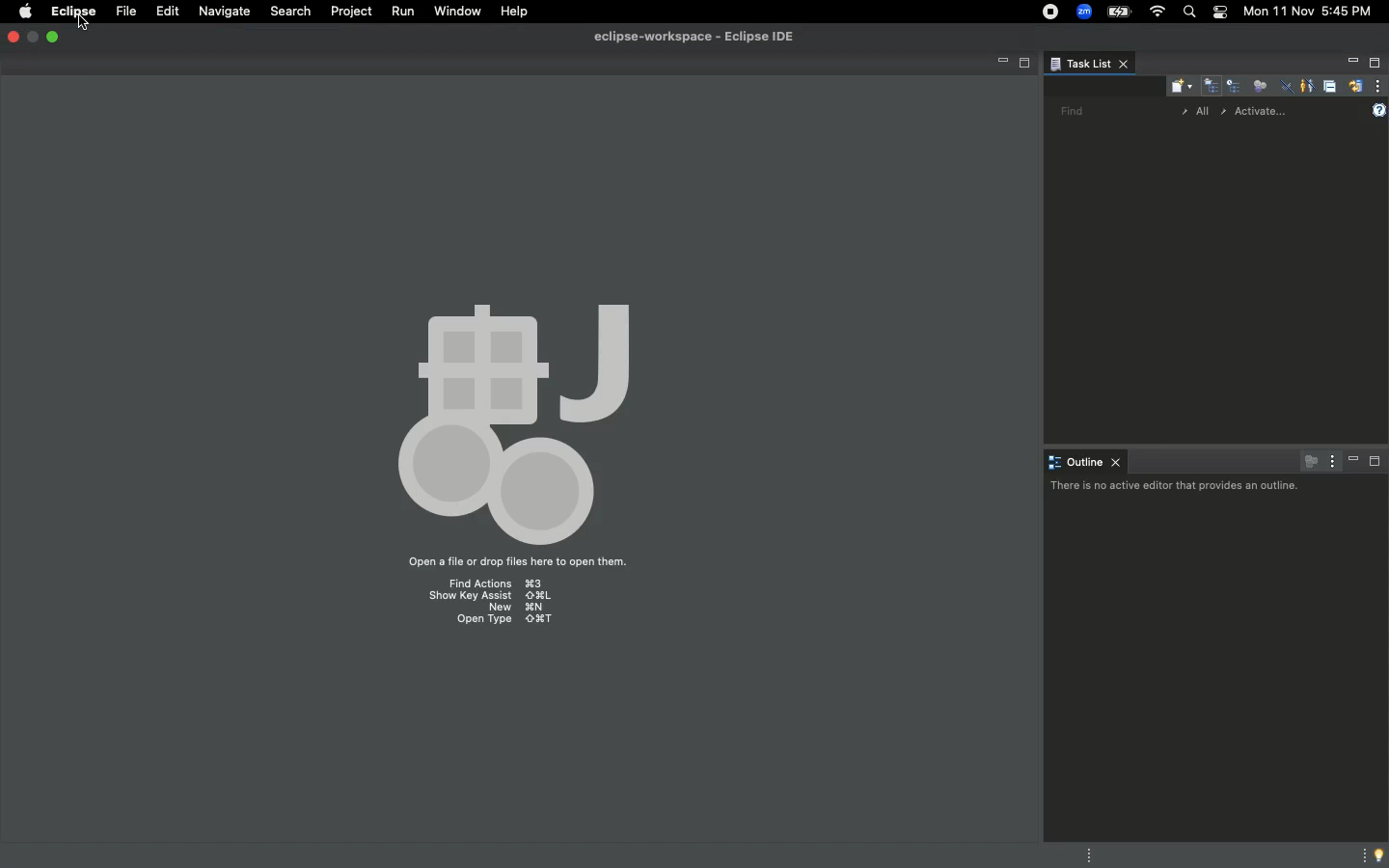 The height and width of the screenshot is (868, 1389). What do you see at coordinates (1331, 461) in the screenshot?
I see `View menu` at bounding box center [1331, 461].